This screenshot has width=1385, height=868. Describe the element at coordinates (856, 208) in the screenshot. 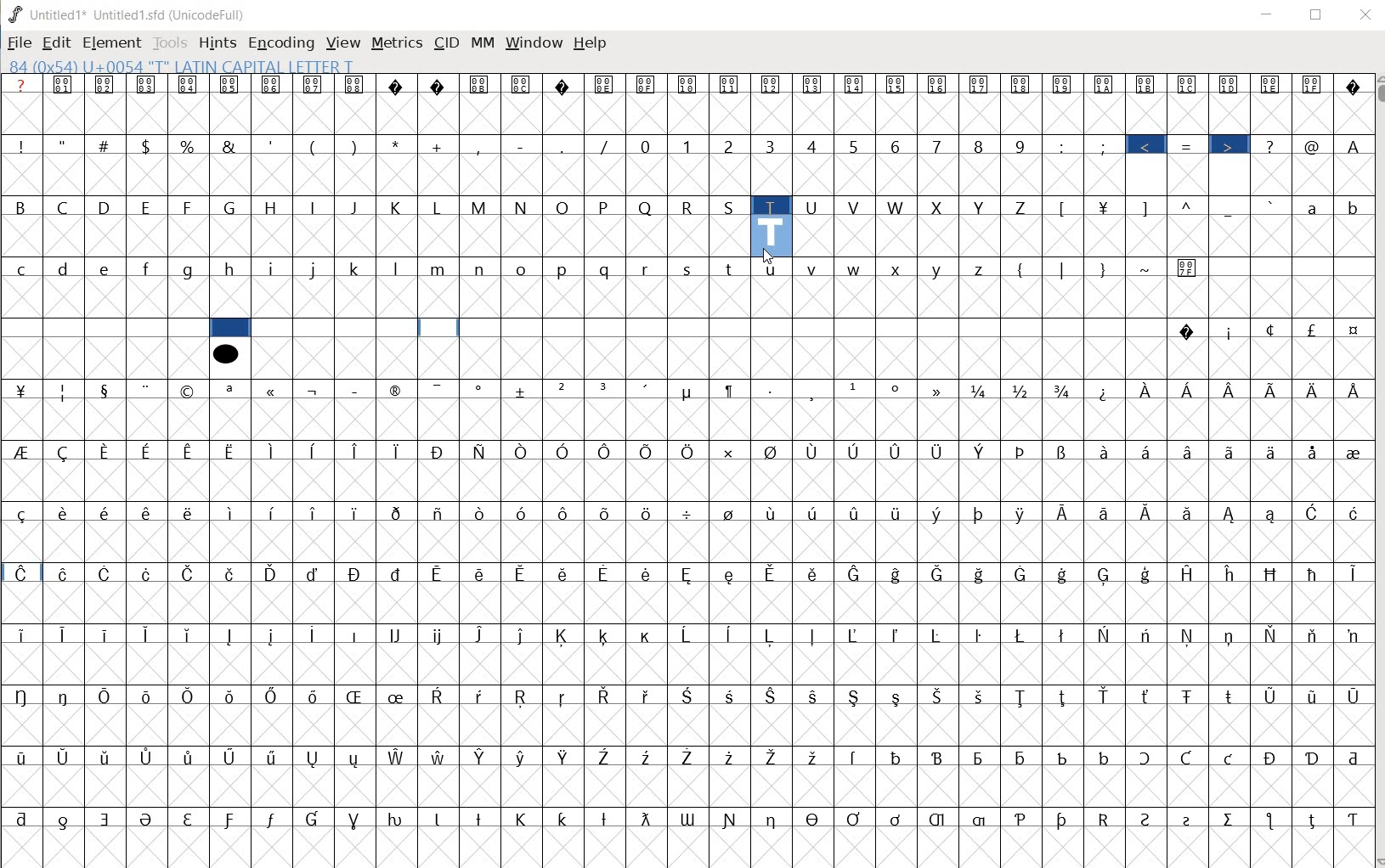

I see `V` at that location.